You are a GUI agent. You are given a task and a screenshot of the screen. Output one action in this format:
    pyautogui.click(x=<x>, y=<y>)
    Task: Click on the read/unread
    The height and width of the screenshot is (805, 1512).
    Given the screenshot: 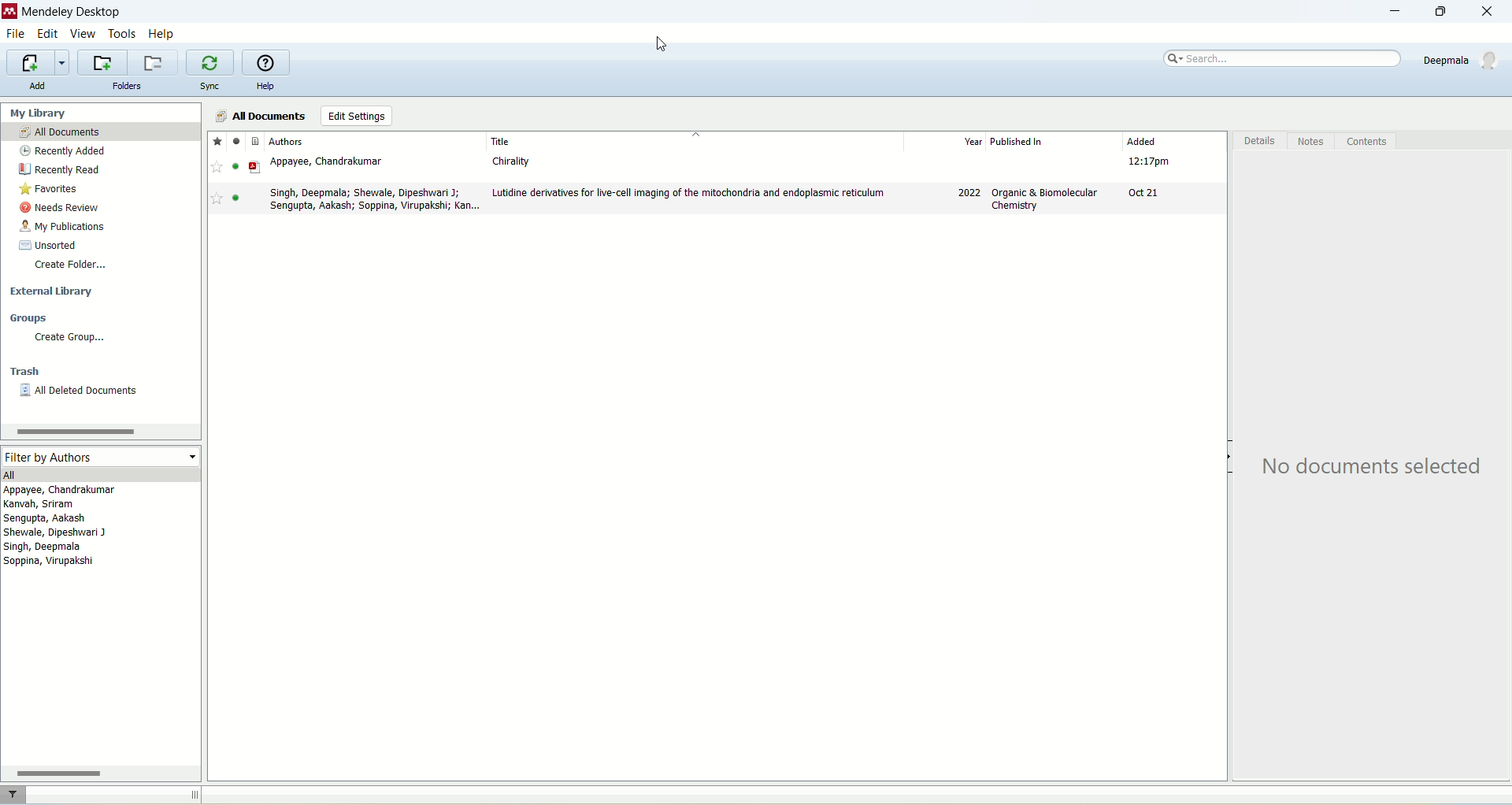 What is the action you would take?
    pyautogui.click(x=240, y=140)
    